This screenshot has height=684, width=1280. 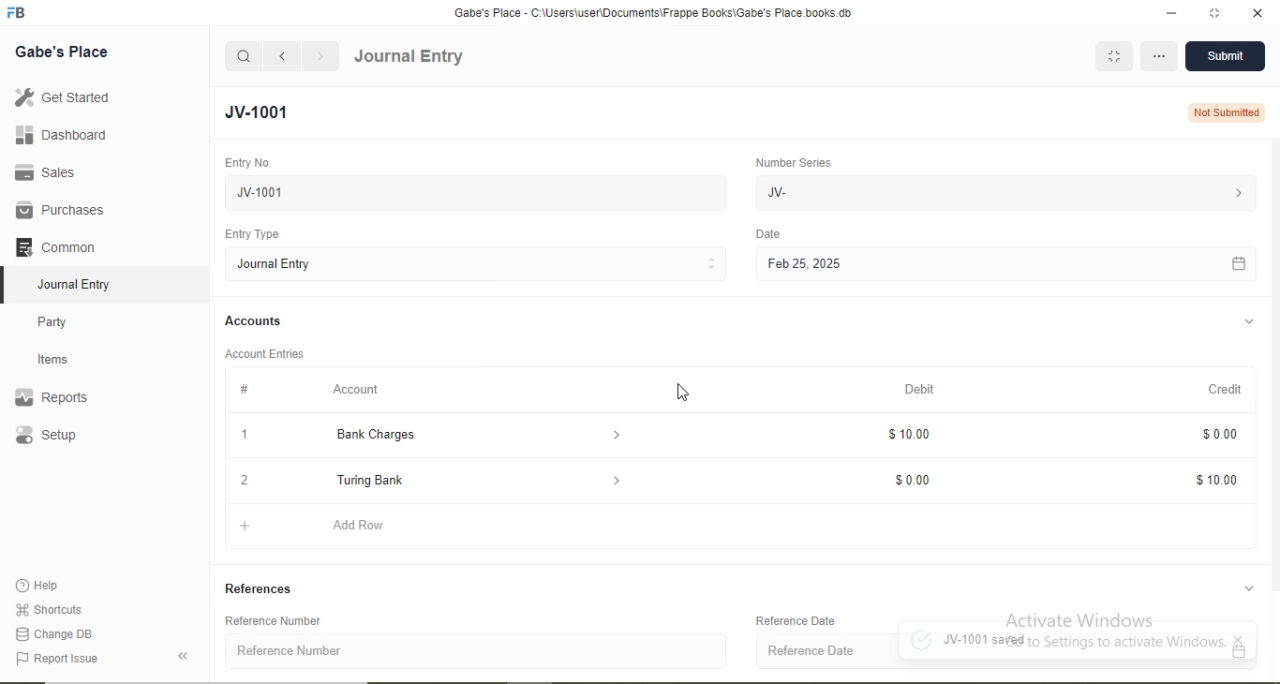 I want to click on Entry No, so click(x=244, y=162).